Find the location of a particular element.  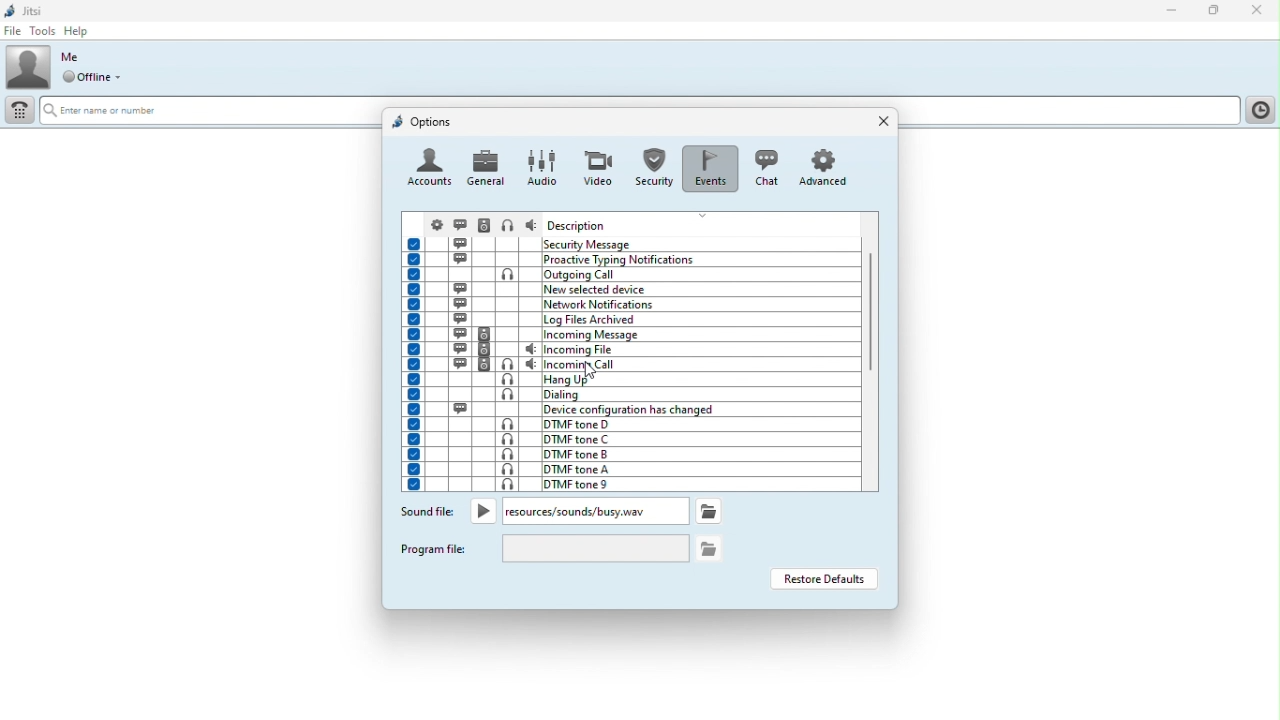

File is located at coordinates (12, 31).